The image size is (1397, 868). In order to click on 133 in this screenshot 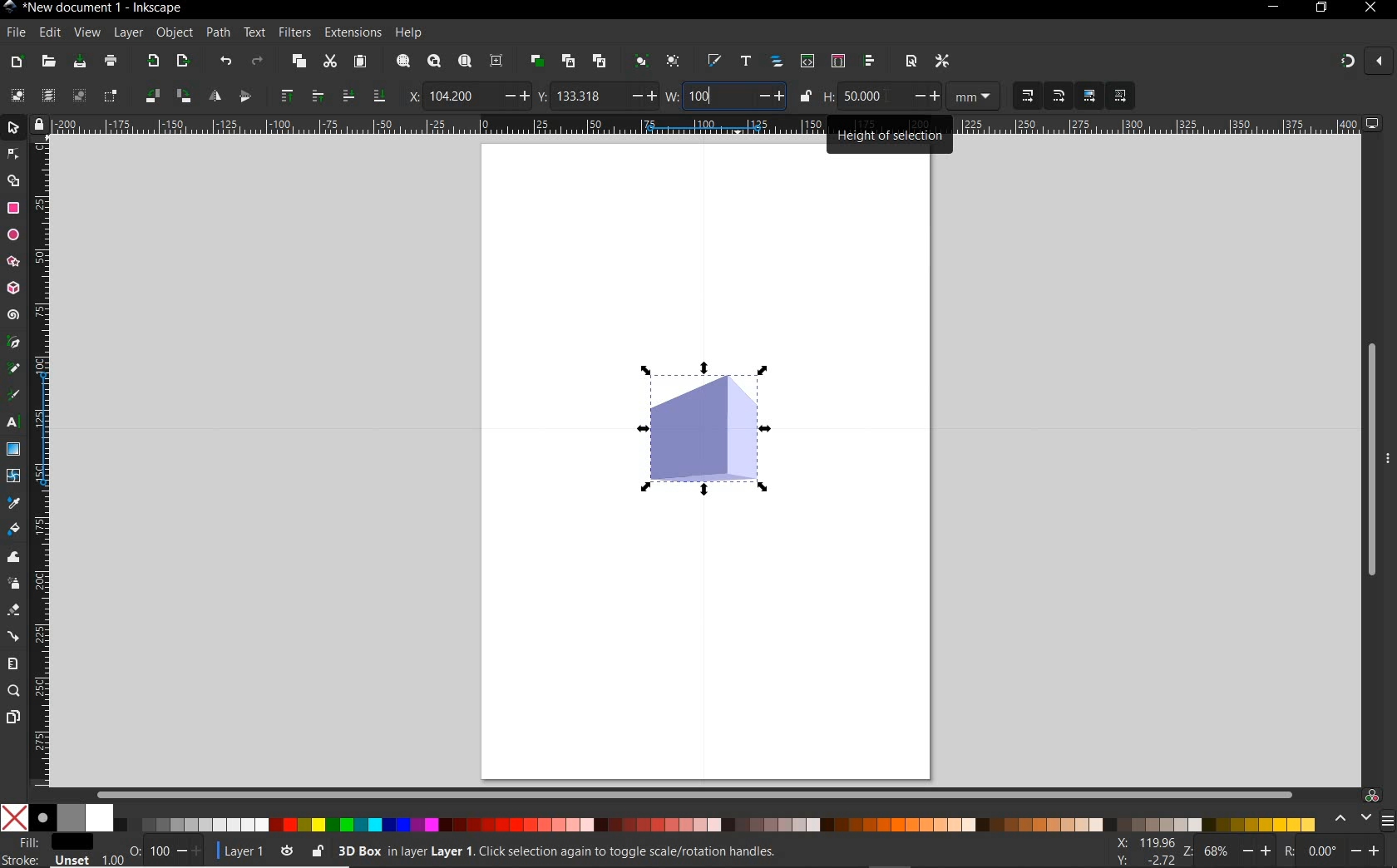, I will do `click(588, 96)`.